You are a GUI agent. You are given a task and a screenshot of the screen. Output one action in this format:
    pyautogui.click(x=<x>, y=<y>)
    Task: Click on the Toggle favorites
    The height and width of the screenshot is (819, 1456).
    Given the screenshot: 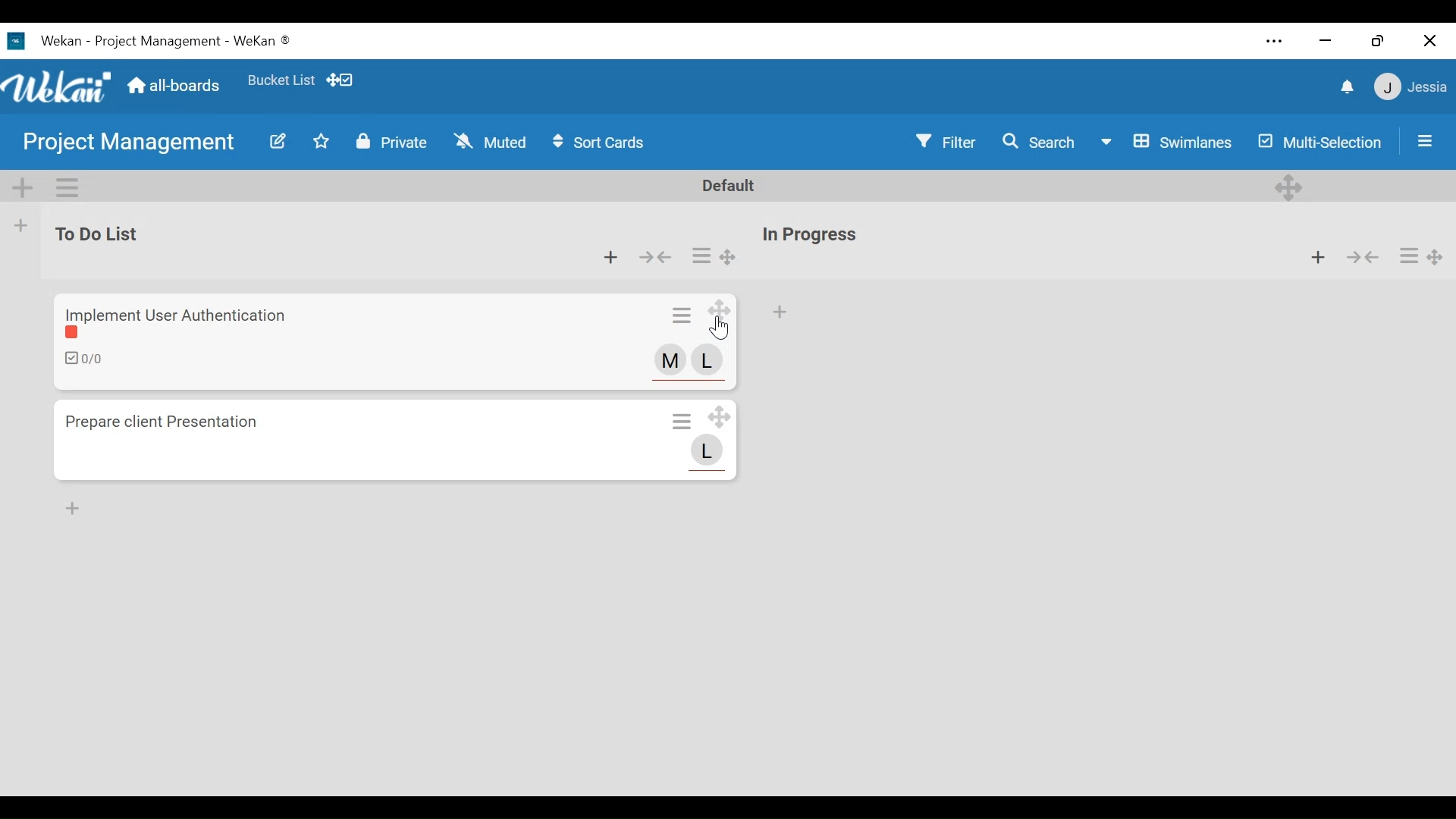 What is the action you would take?
    pyautogui.click(x=321, y=140)
    